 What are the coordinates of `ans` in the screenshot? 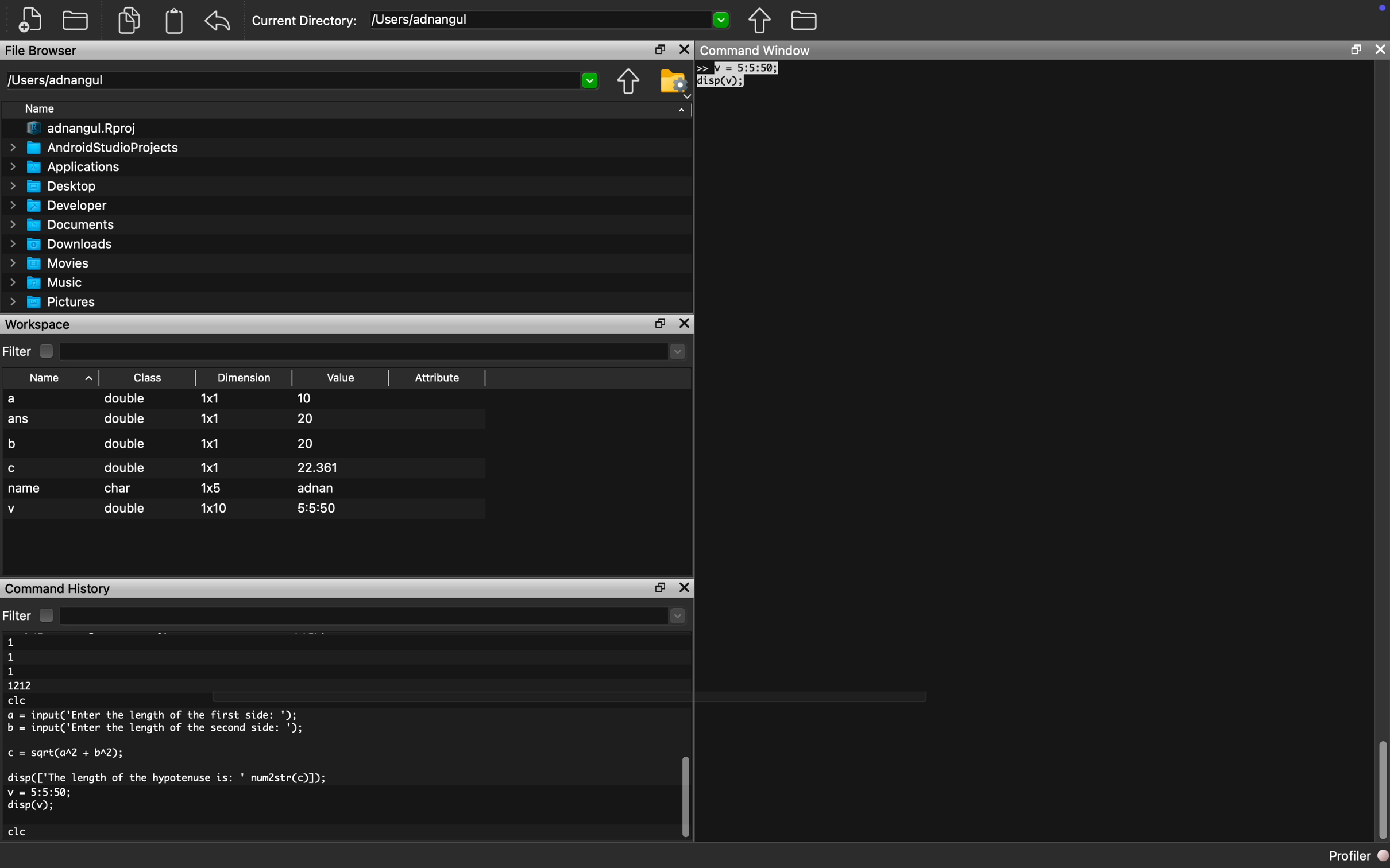 It's located at (22, 421).